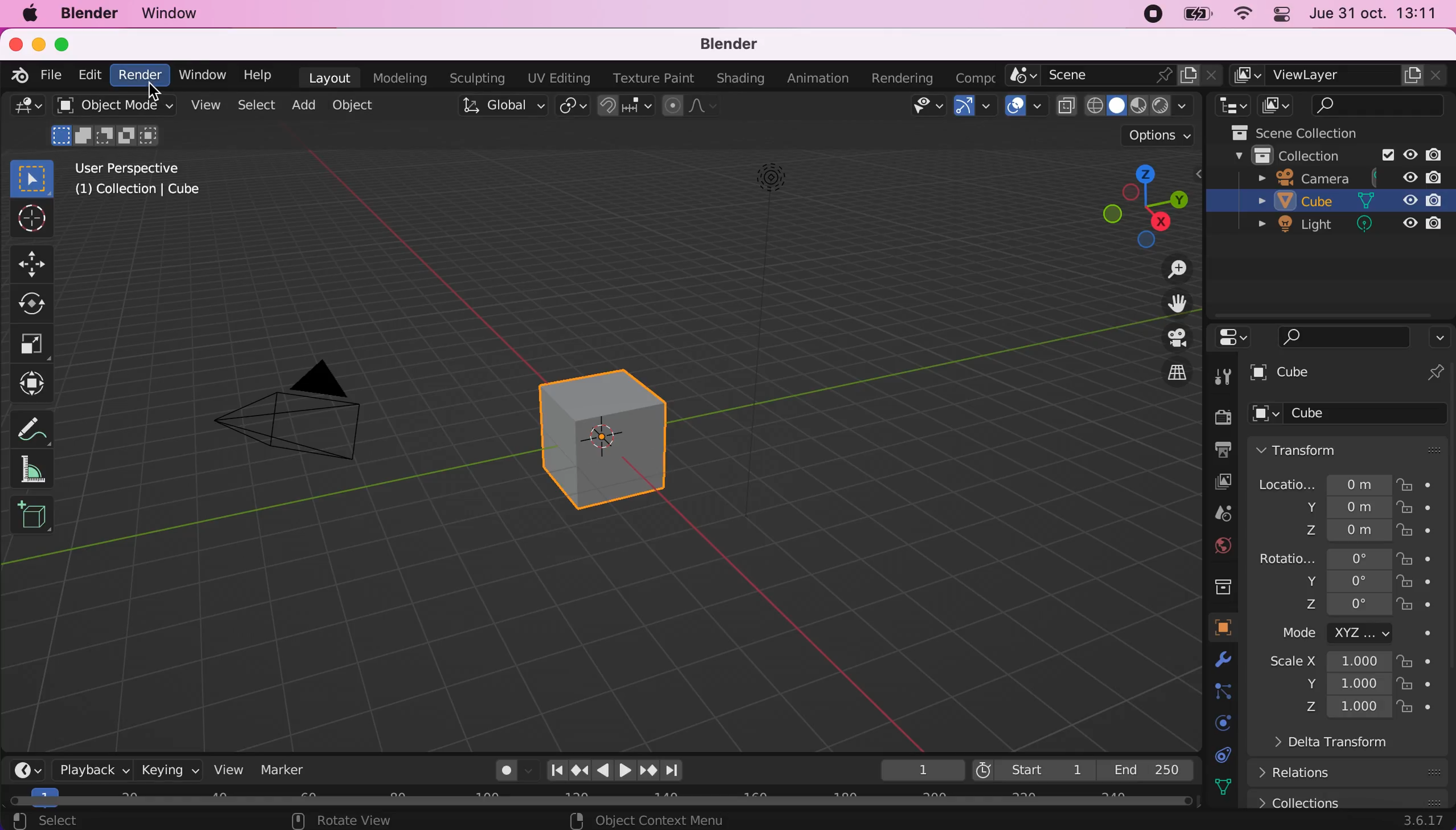 Image resolution: width=1456 pixels, height=830 pixels. What do you see at coordinates (1218, 722) in the screenshot?
I see `physics` at bounding box center [1218, 722].